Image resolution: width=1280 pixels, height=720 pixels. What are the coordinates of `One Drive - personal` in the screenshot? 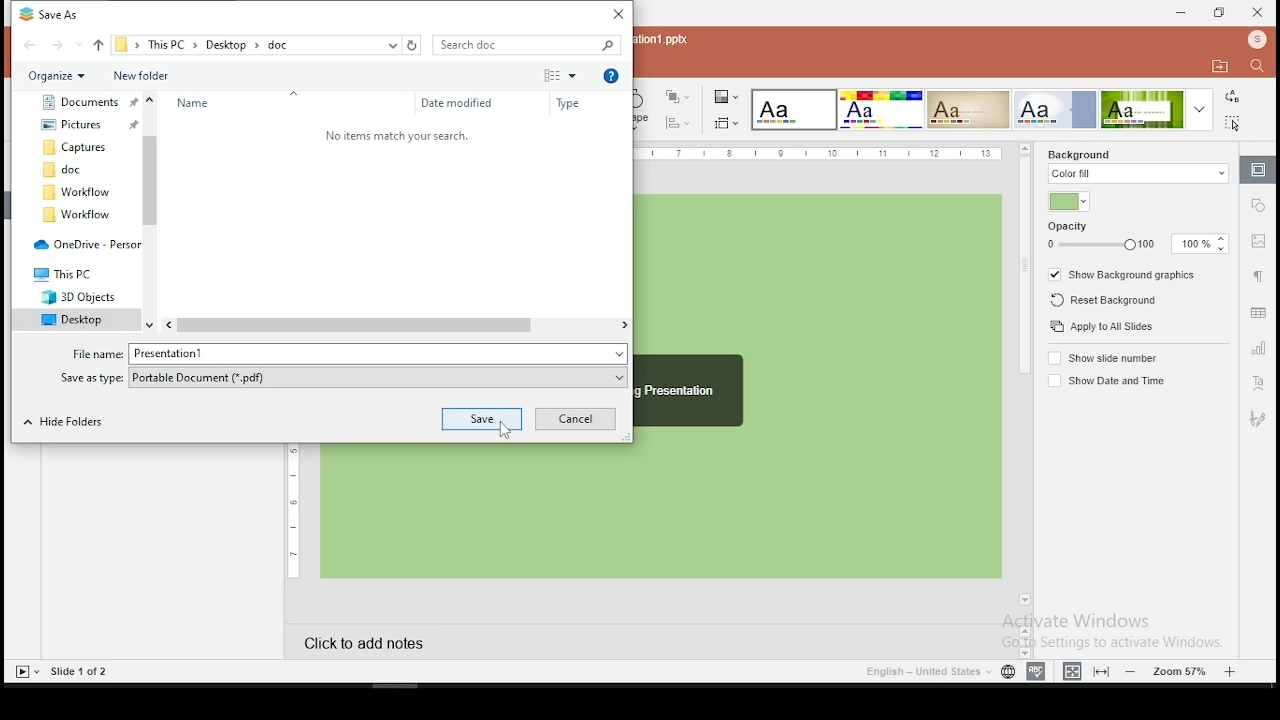 It's located at (84, 244).